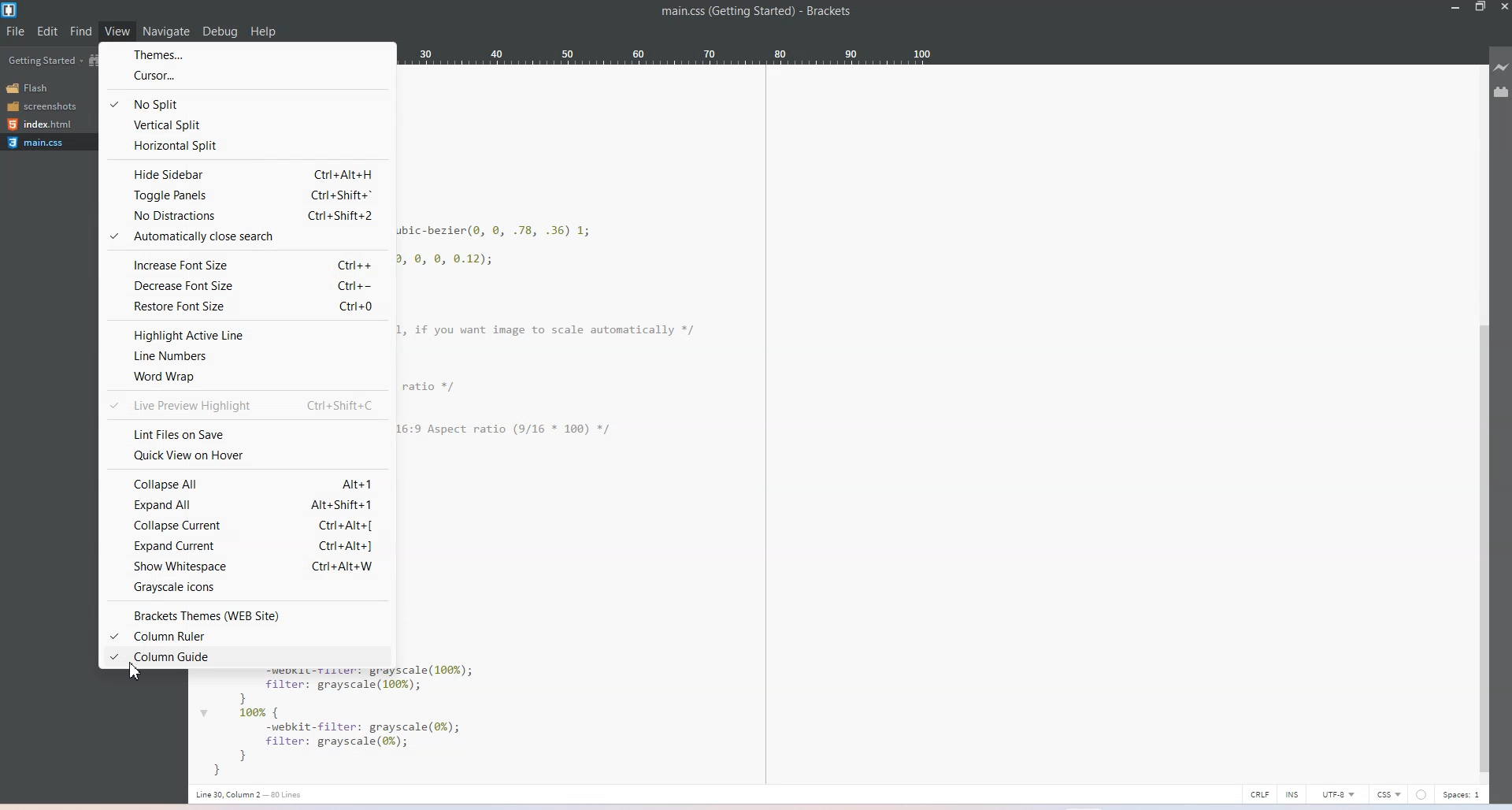 The image size is (1512, 810). What do you see at coordinates (249, 53) in the screenshot?
I see `Themes` at bounding box center [249, 53].